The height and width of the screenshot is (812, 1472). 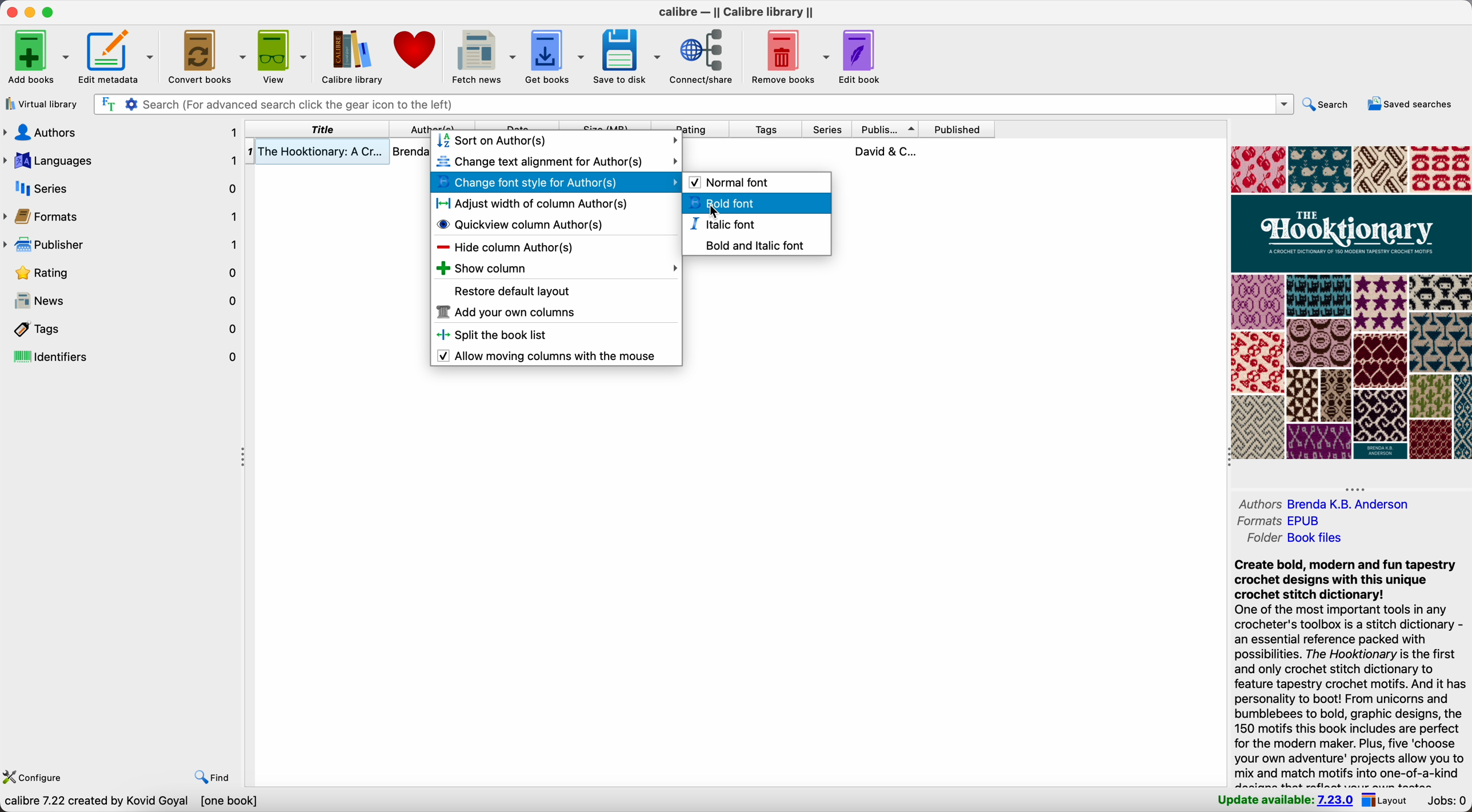 I want to click on get books, so click(x=555, y=56).